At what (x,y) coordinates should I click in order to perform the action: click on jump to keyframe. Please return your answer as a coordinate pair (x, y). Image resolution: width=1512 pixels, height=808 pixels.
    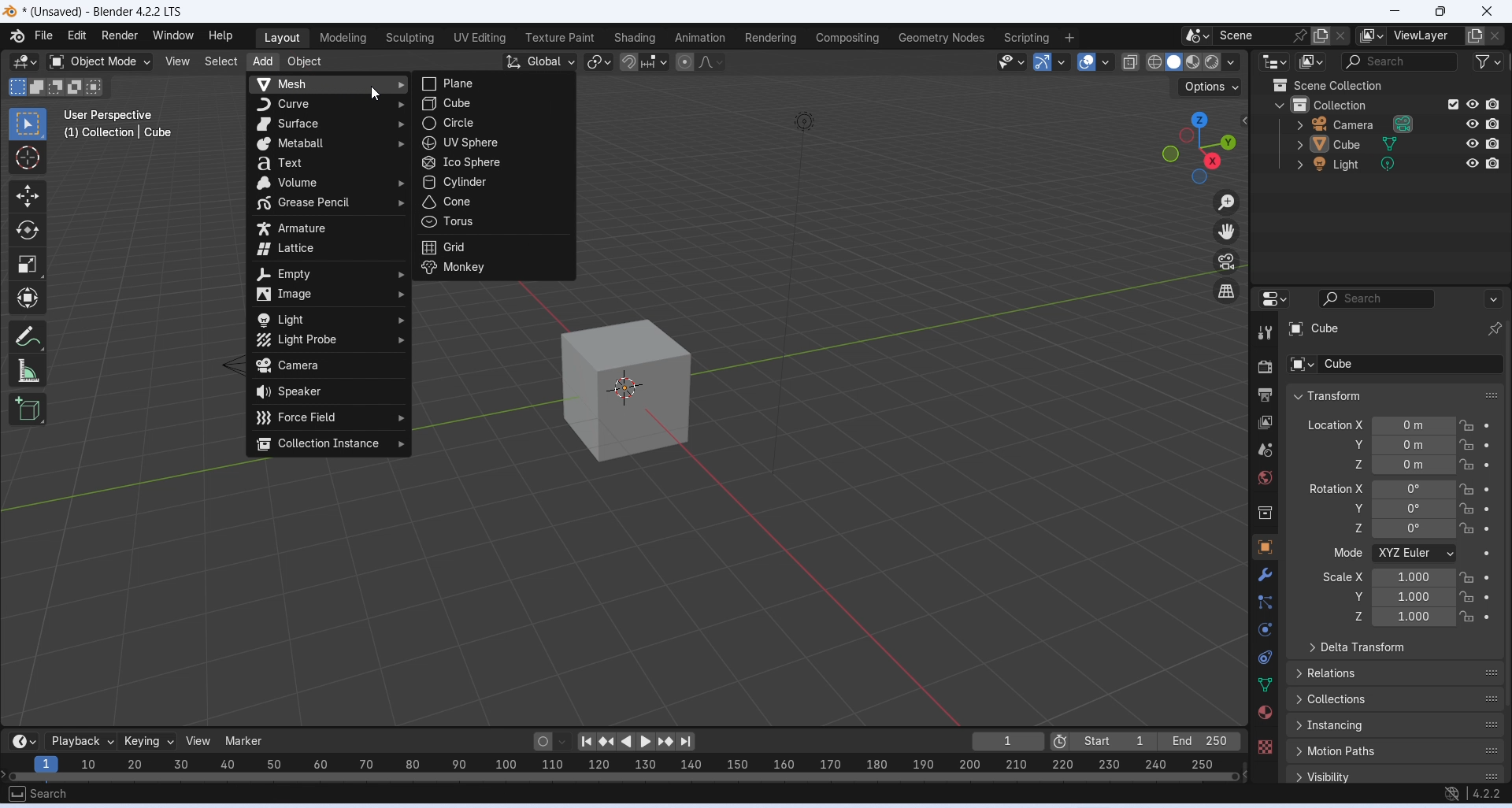
    Looking at the image, I should click on (667, 742).